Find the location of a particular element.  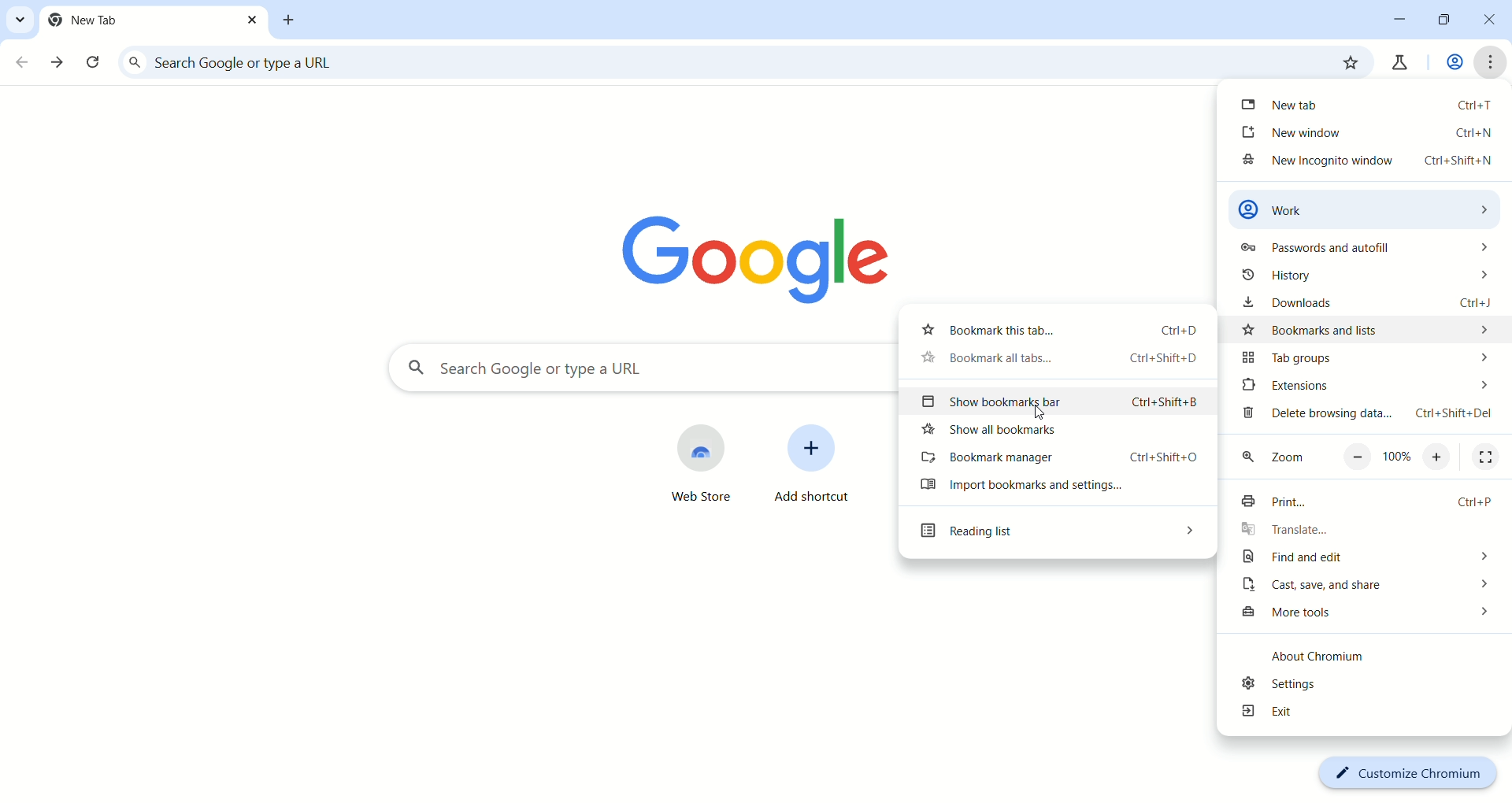

cast, save and share is located at coordinates (1365, 587).